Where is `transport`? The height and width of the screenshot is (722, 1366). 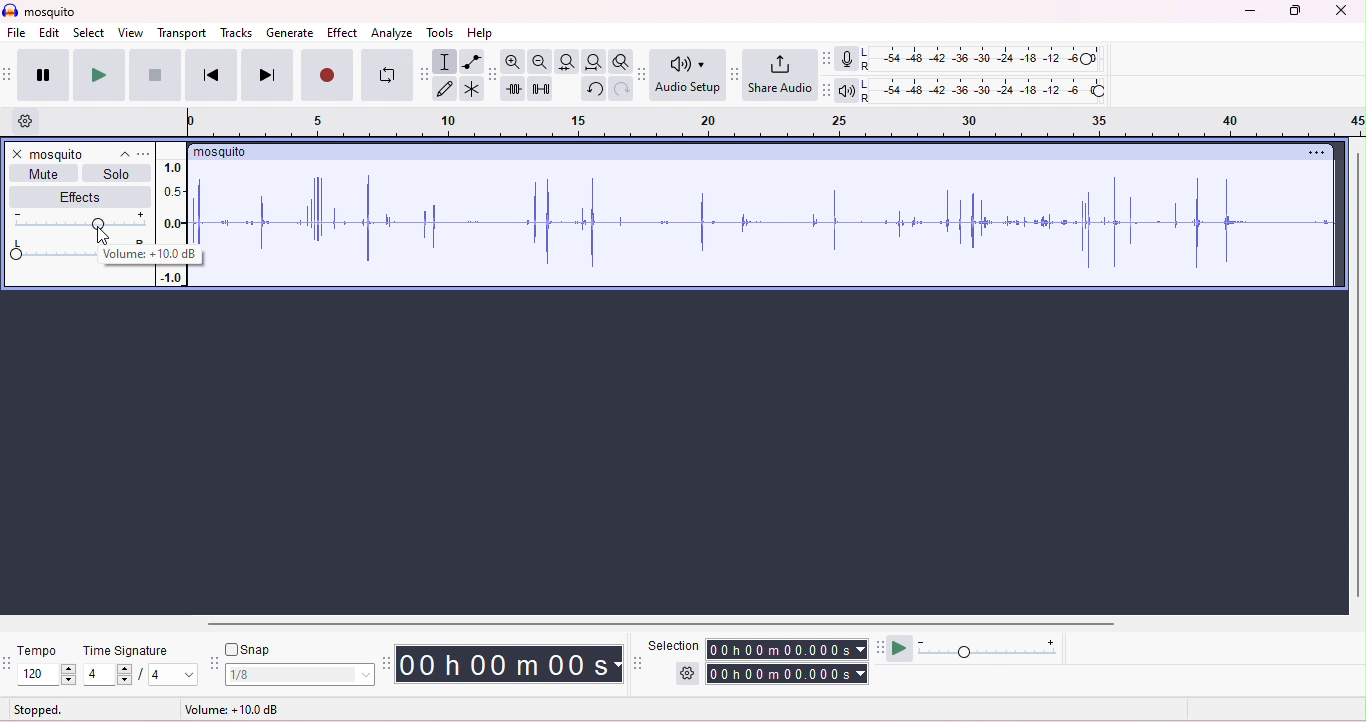 transport is located at coordinates (184, 34).